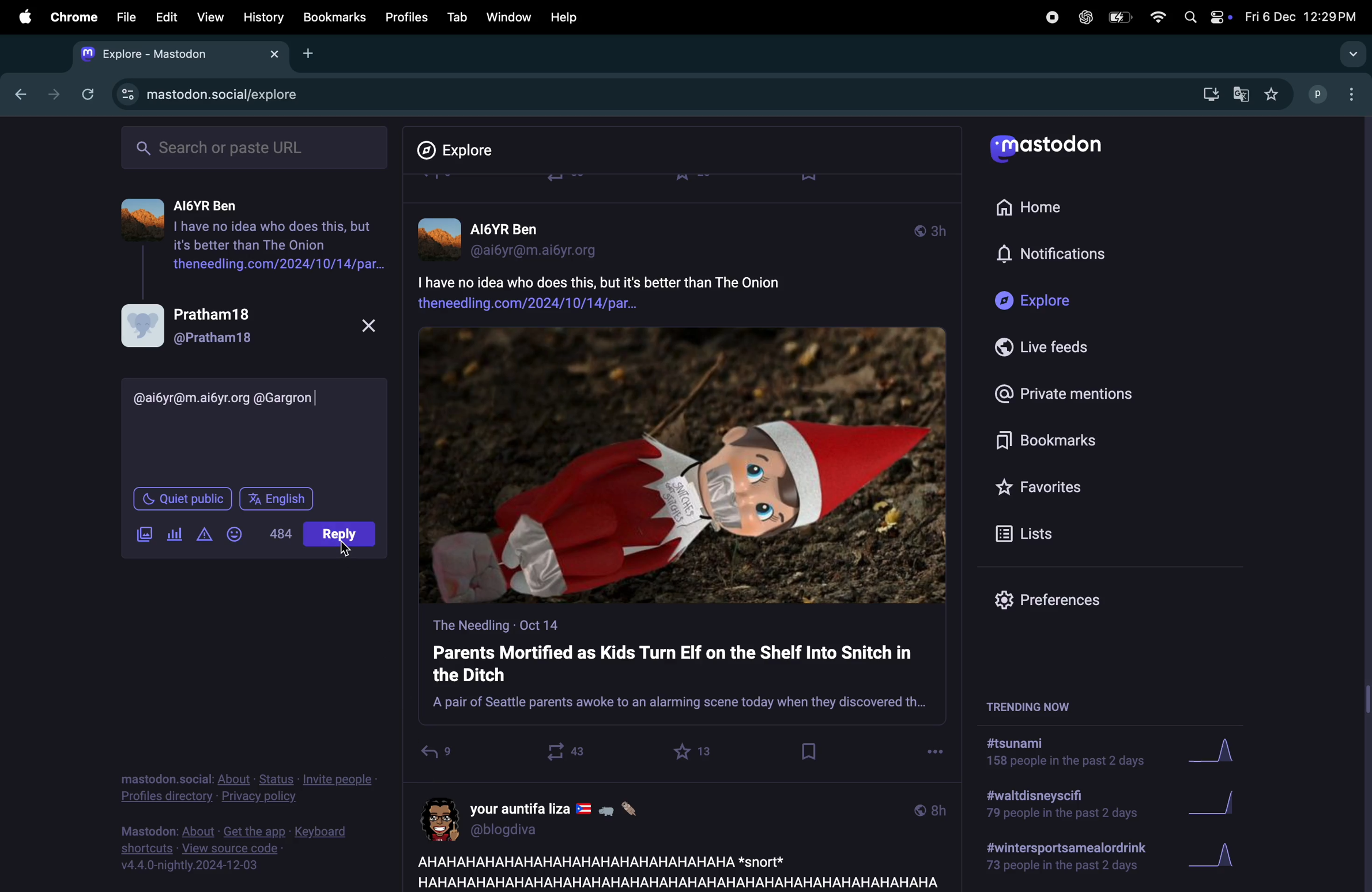 The image size is (1372, 892). What do you see at coordinates (280, 532) in the screenshot?
I see `500 words` at bounding box center [280, 532].